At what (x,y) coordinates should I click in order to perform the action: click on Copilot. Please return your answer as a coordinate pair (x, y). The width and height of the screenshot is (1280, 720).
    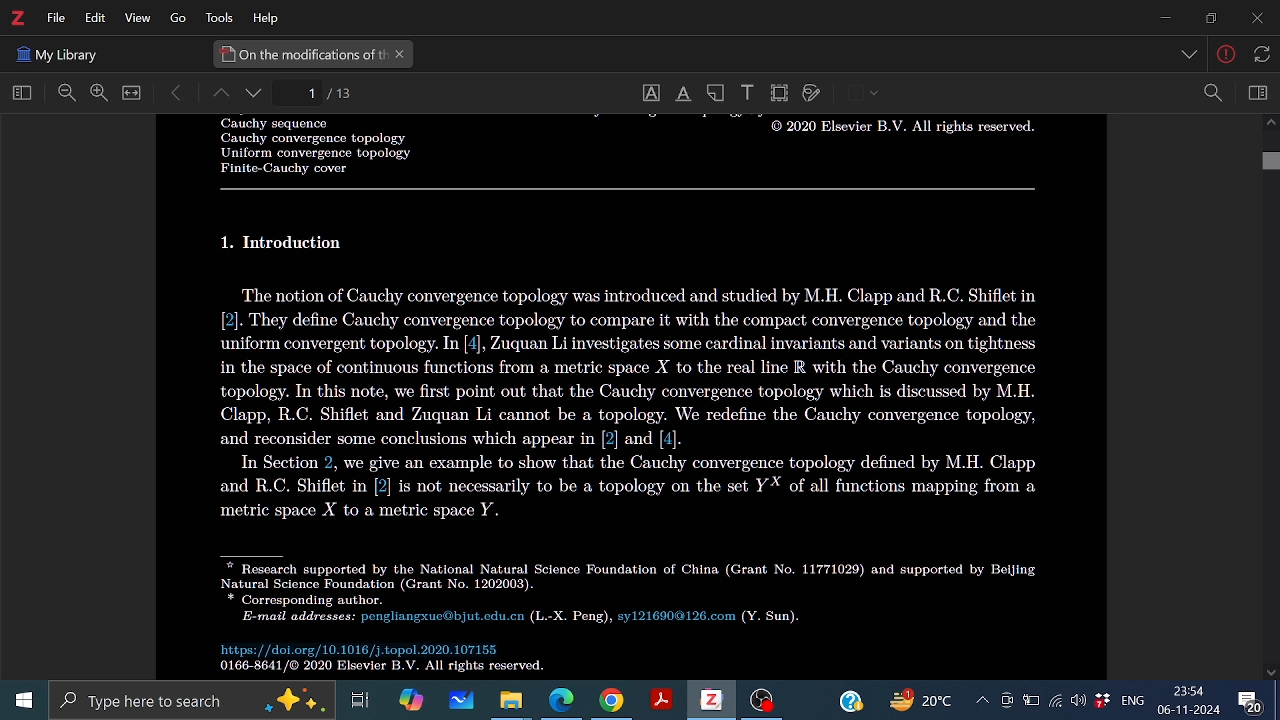
    Looking at the image, I should click on (410, 700).